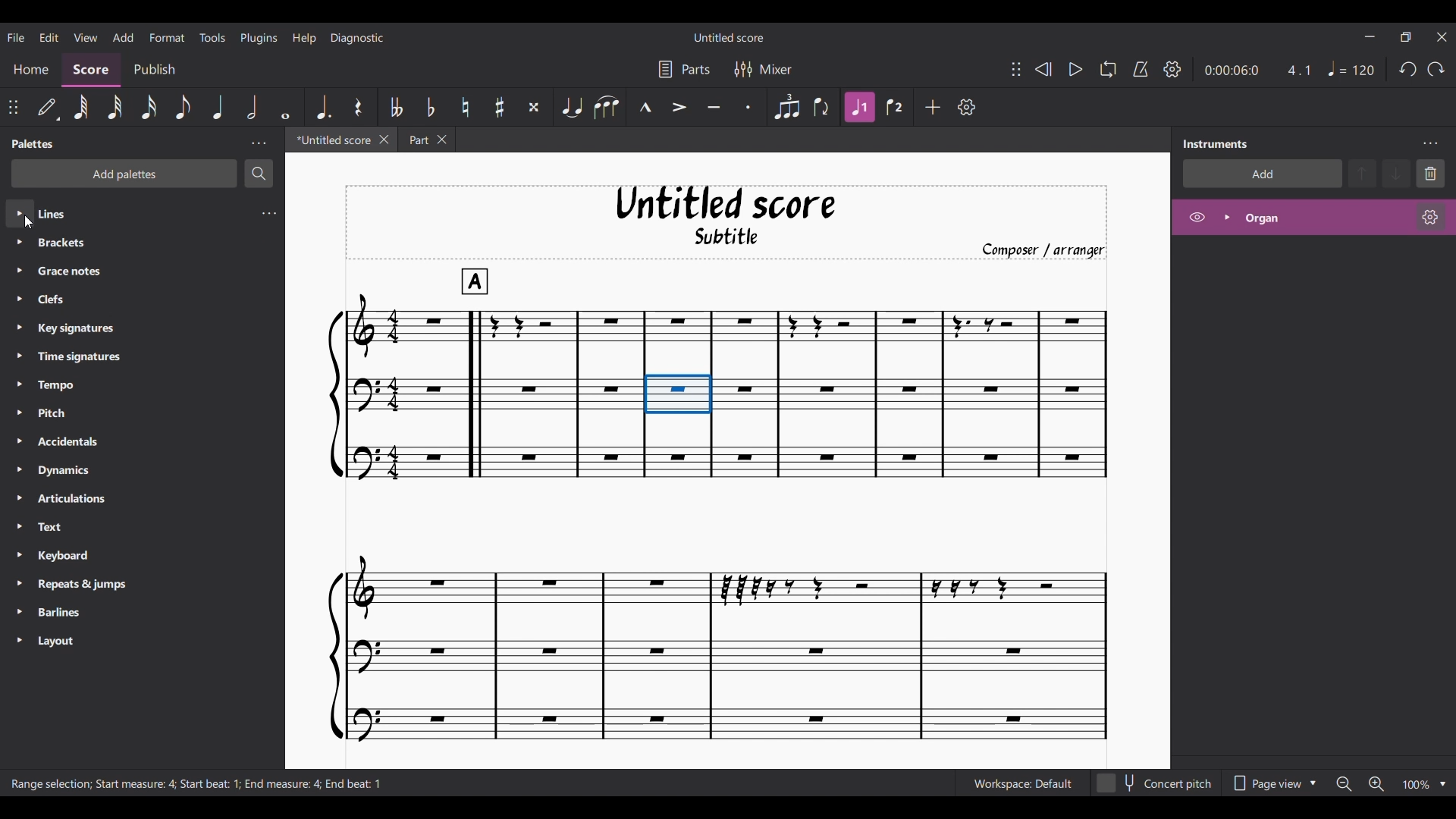 The height and width of the screenshot is (819, 1456). What do you see at coordinates (822, 108) in the screenshot?
I see `Flip direction` at bounding box center [822, 108].